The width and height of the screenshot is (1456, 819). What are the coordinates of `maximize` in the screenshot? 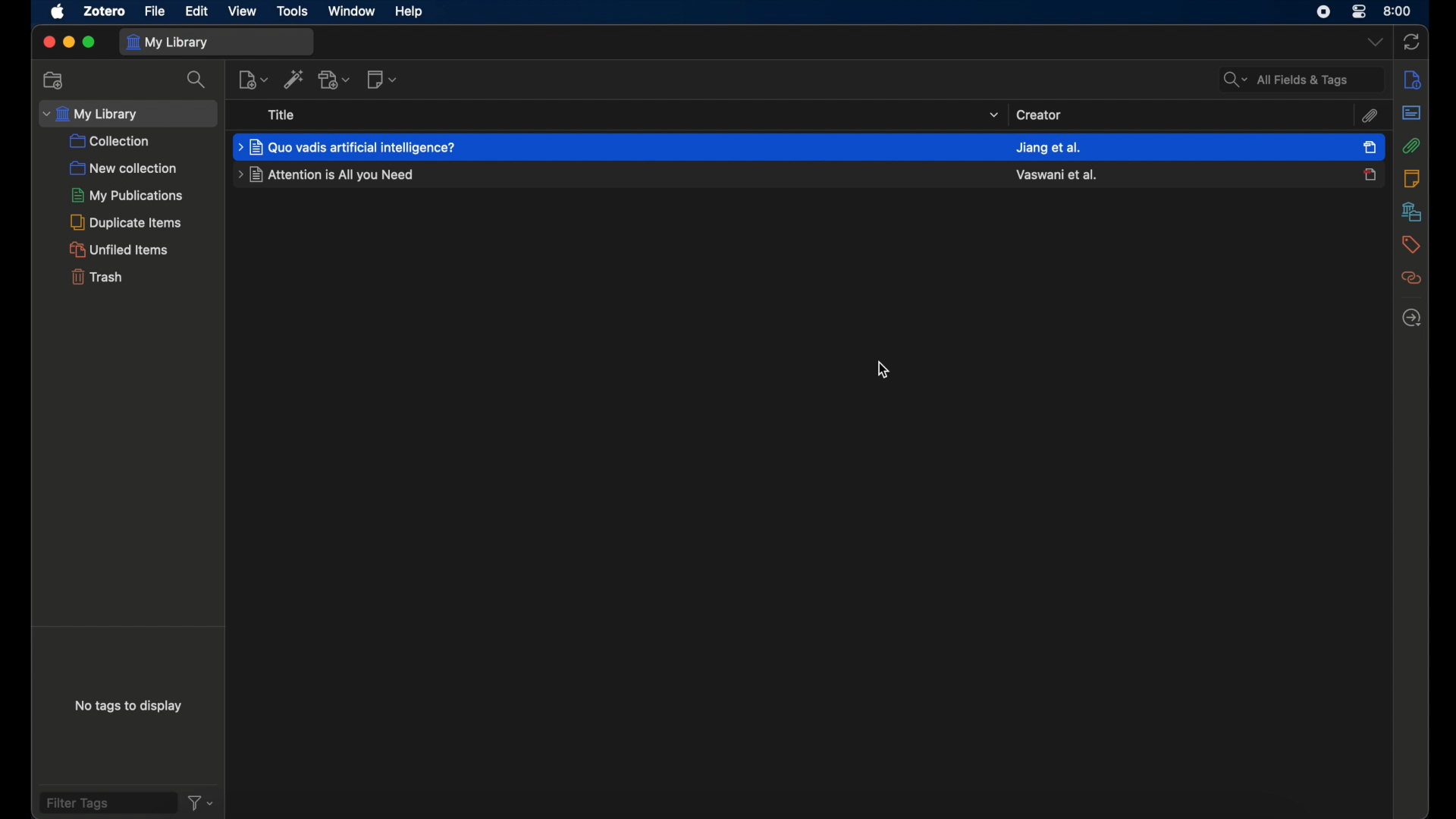 It's located at (90, 42).